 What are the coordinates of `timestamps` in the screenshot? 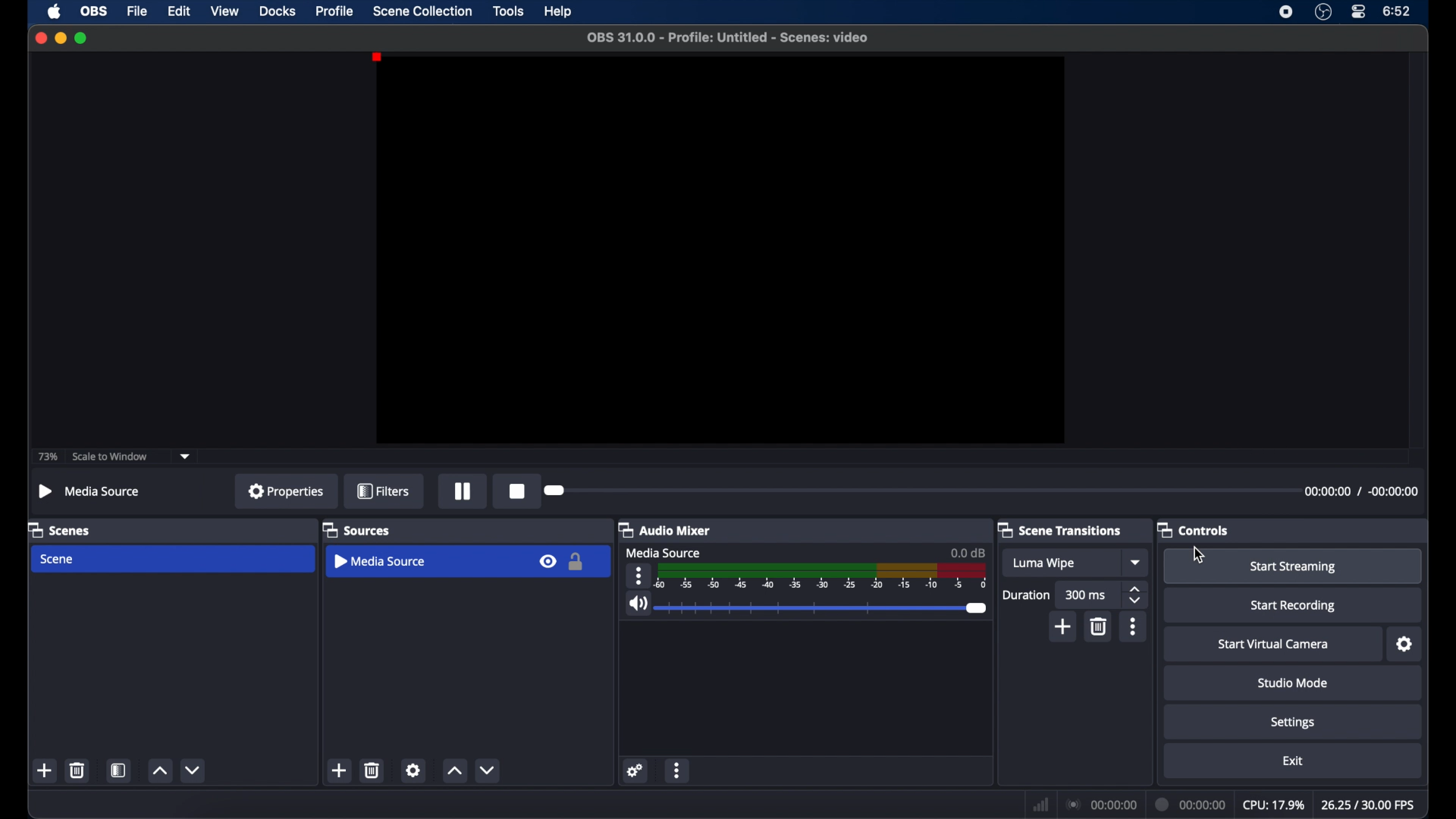 It's located at (1361, 491).